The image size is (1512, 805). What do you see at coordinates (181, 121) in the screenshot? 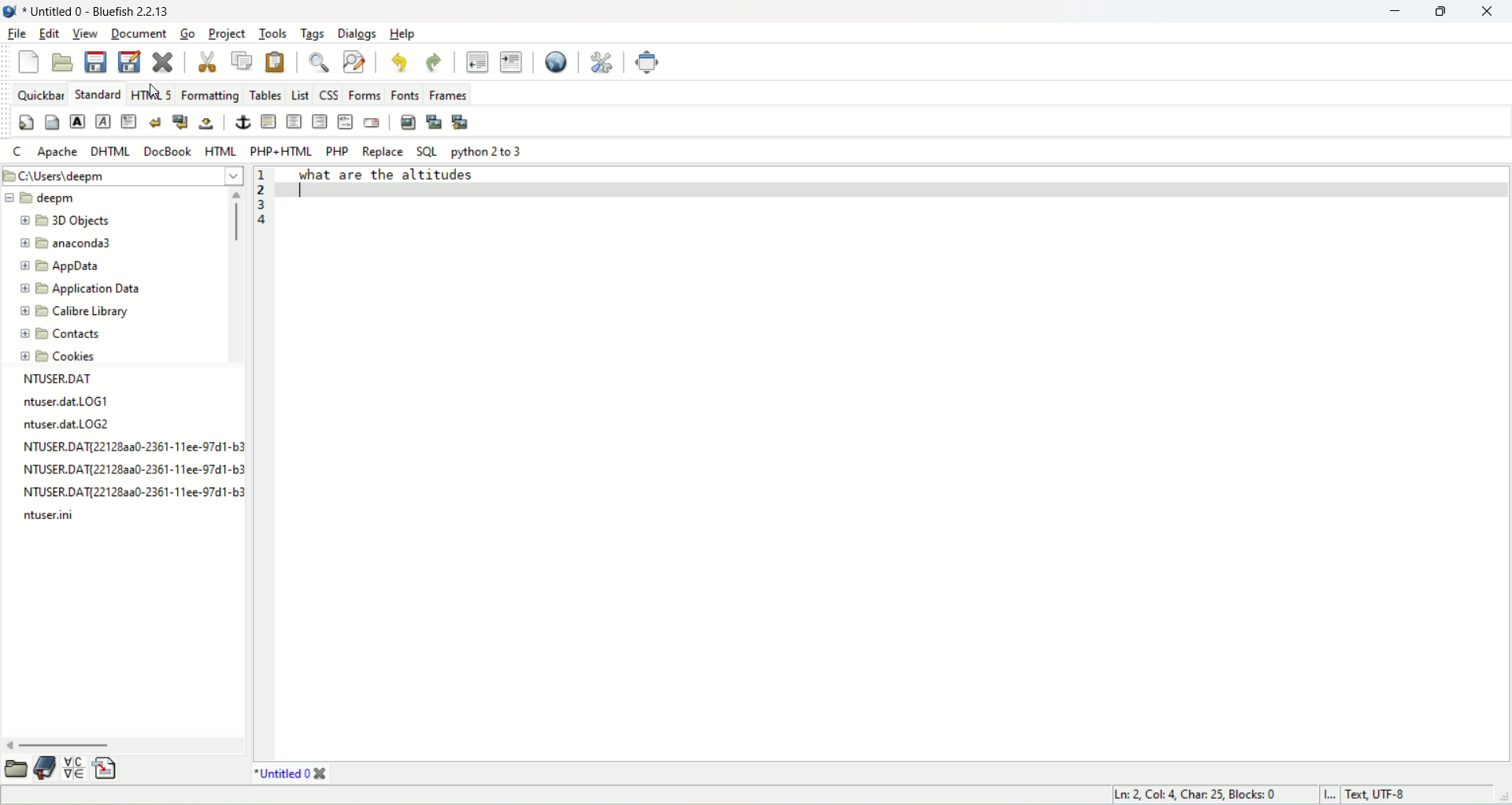
I see `break and clear` at bounding box center [181, 121].